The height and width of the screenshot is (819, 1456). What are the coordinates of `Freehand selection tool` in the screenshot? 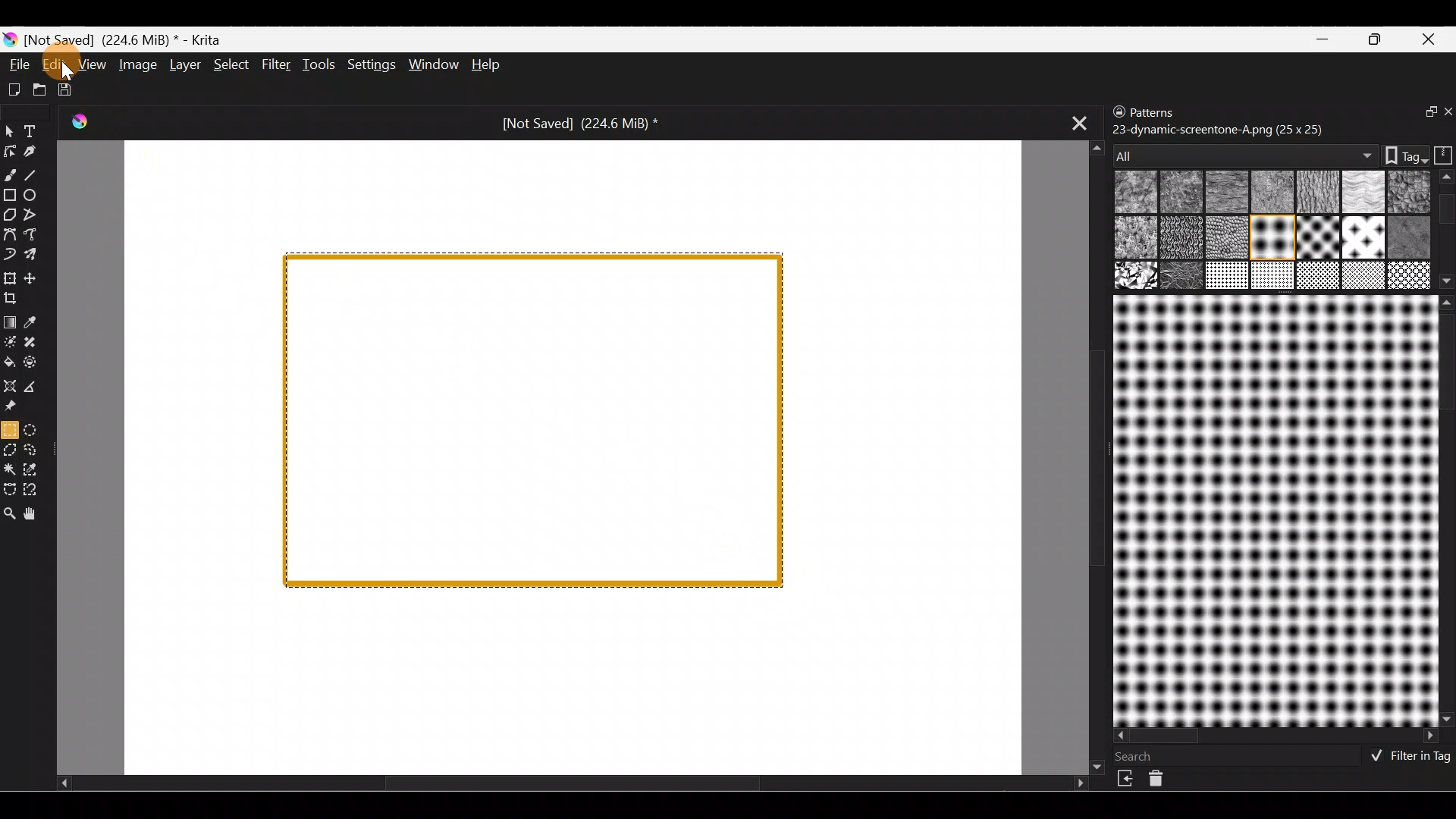 It's located at (36, 450).